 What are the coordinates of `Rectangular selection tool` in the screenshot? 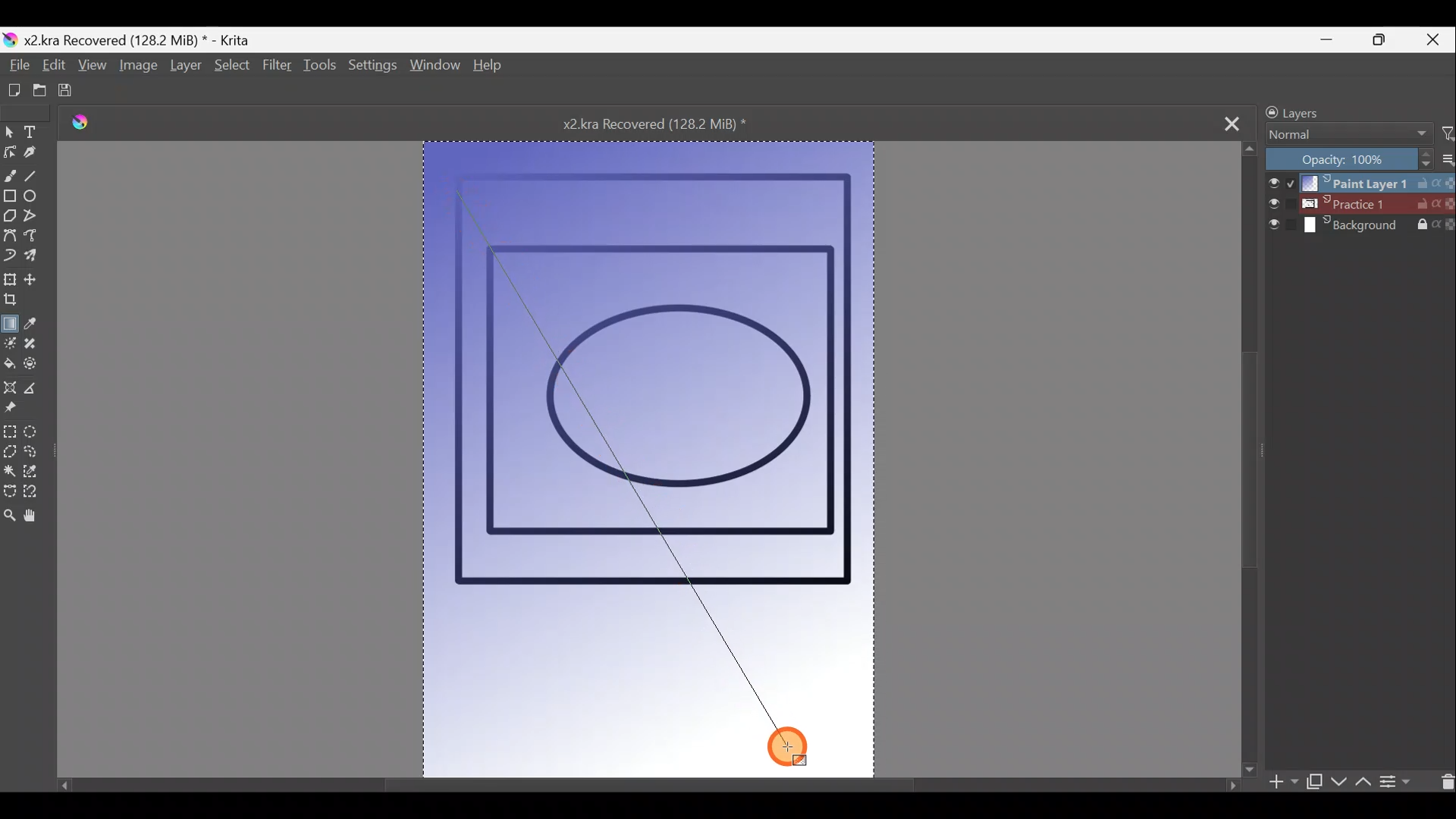 It's located at (9, 434).